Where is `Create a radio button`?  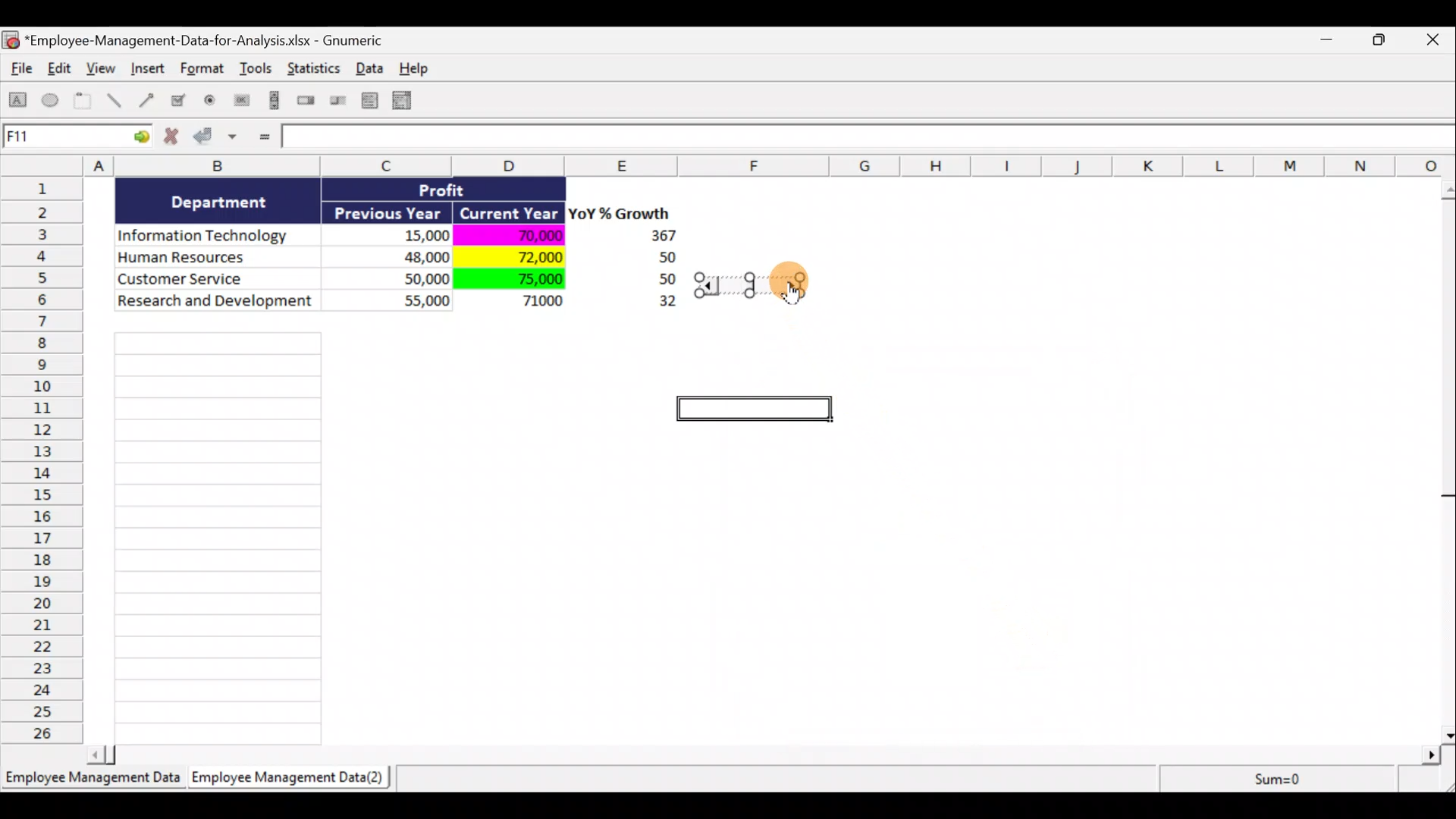
Create a radio button is located at coordinates (211, 102).